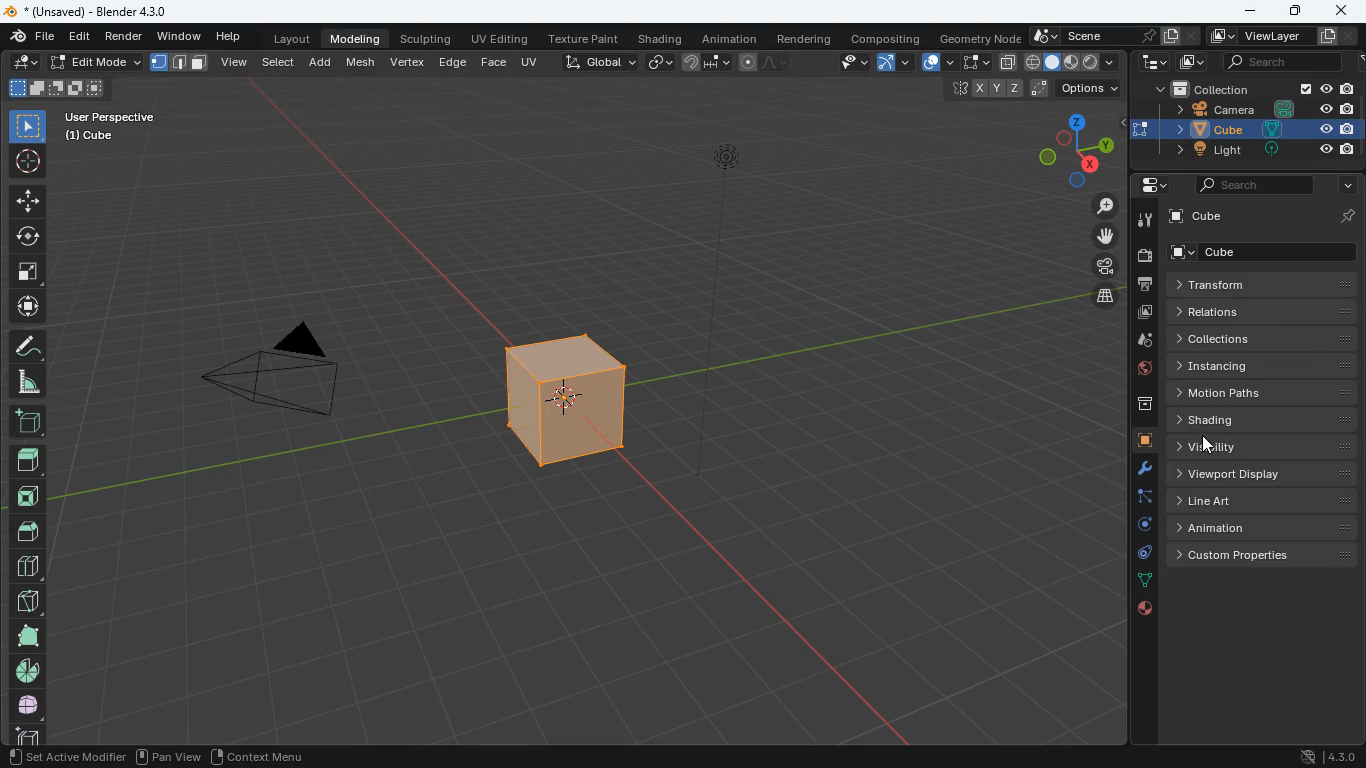  Describe the element at coordinates (976, 38) in the screenshot. I see `geometry node` at that location.